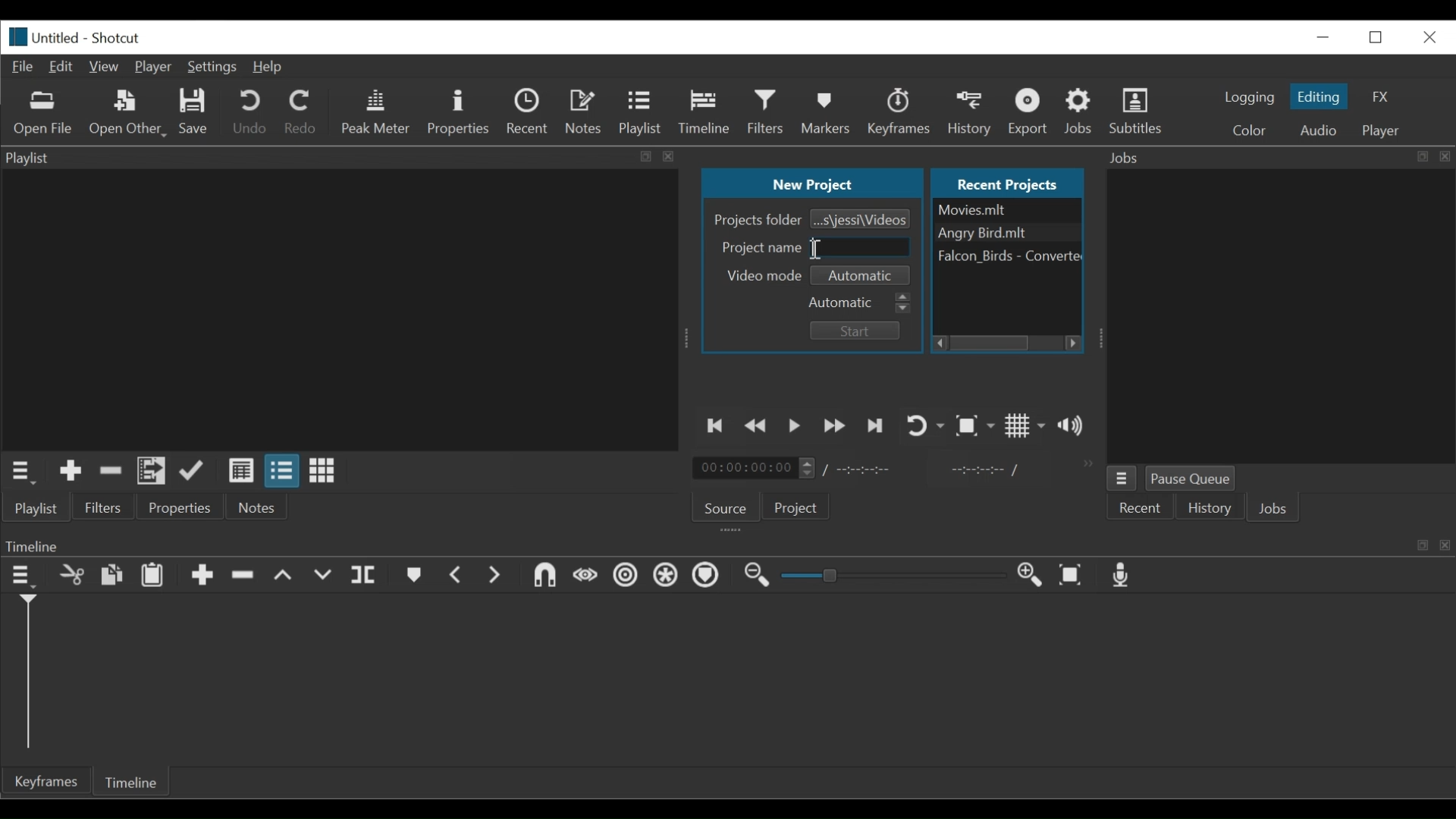 The height and width of the screenshot is (819, 1456). Describe the element at coordinates (497, 574) in the screenshot. I see `Next Marker` at that location.